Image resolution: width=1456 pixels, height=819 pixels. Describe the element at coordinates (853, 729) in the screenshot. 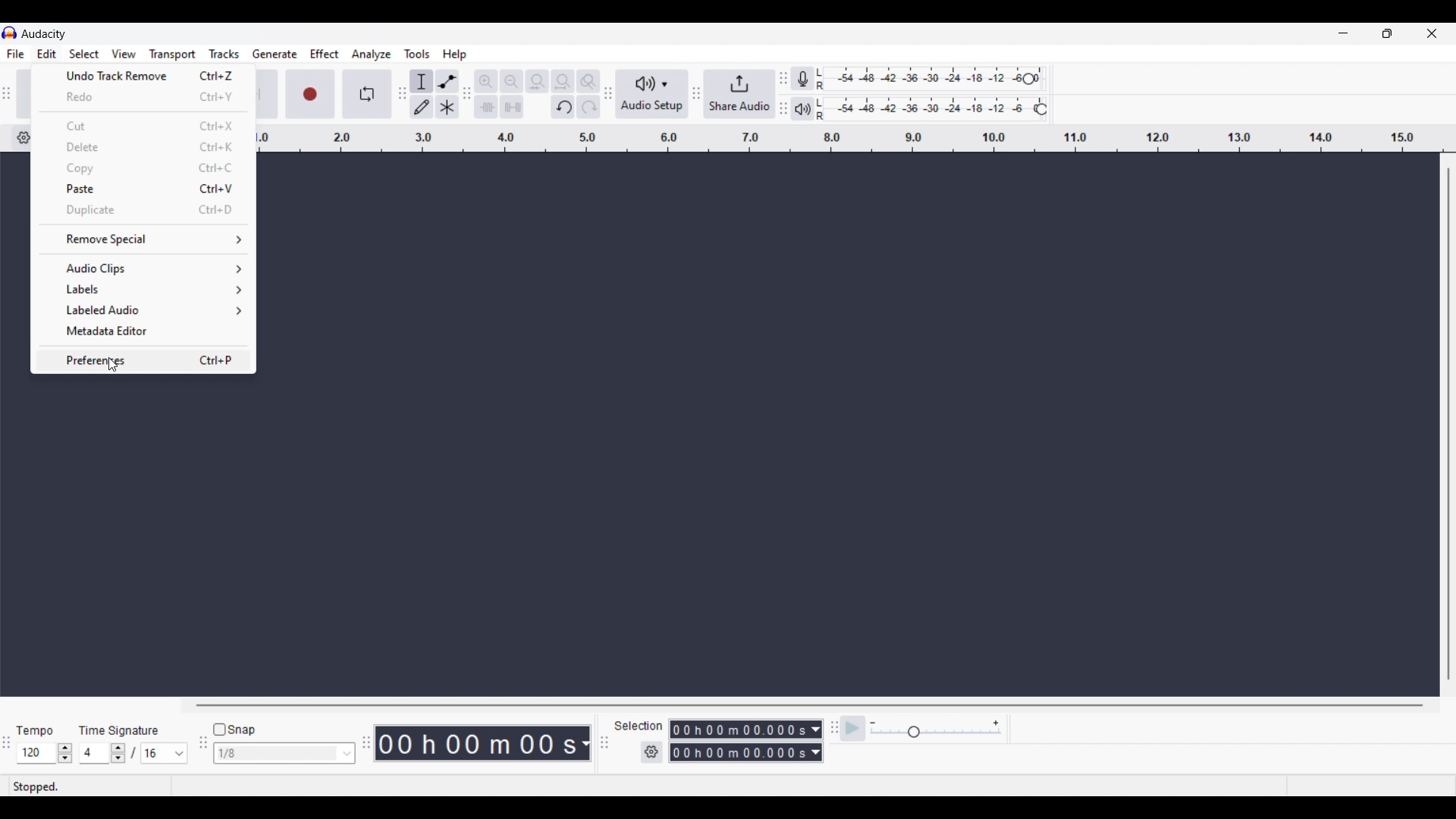

I see `Play-at-speed/Play-at-speed oncce` at that location.